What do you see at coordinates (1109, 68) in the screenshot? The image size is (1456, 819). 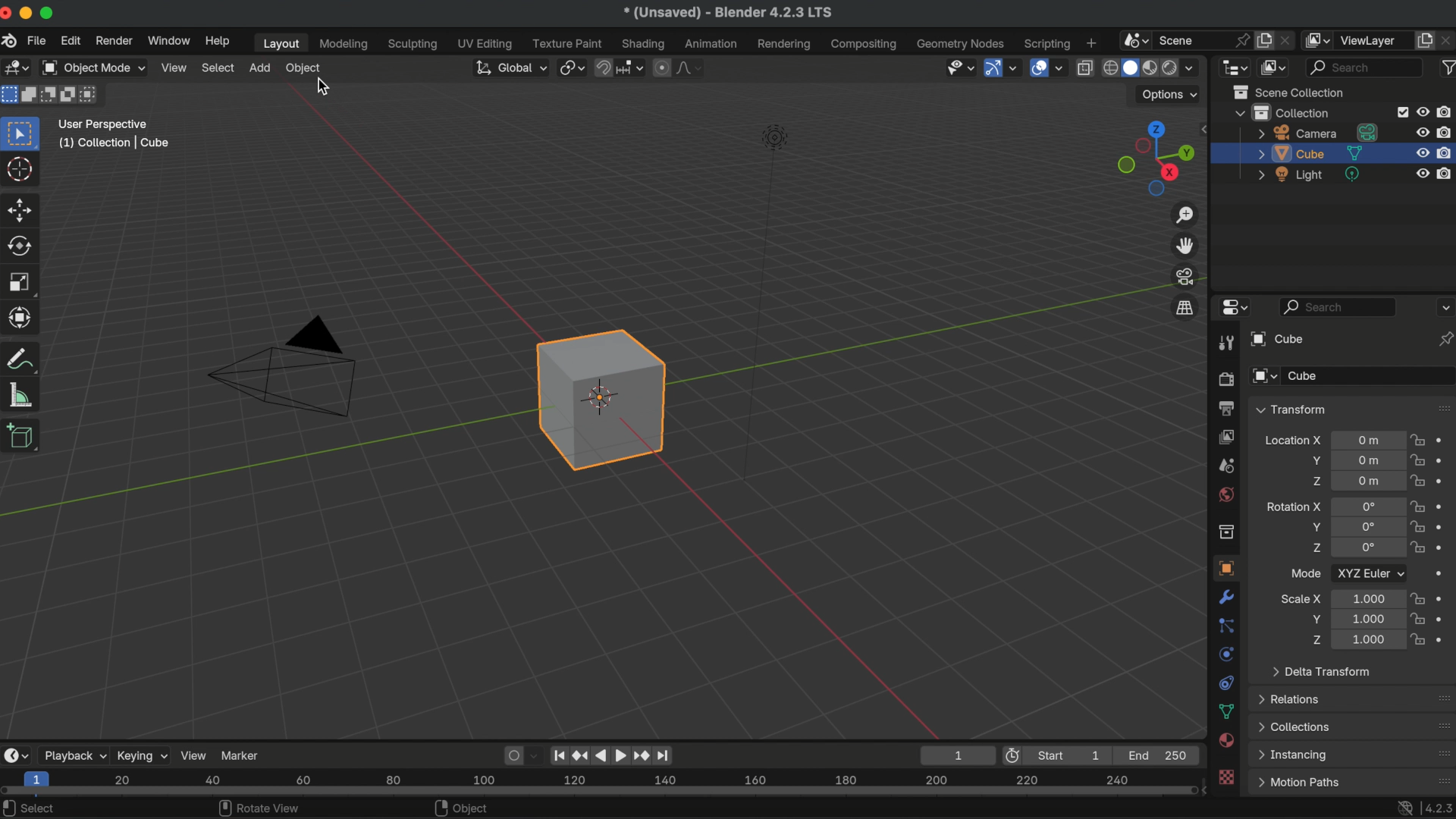 I see `viewport shading wireframe ` at bounding box center [1109, 68].